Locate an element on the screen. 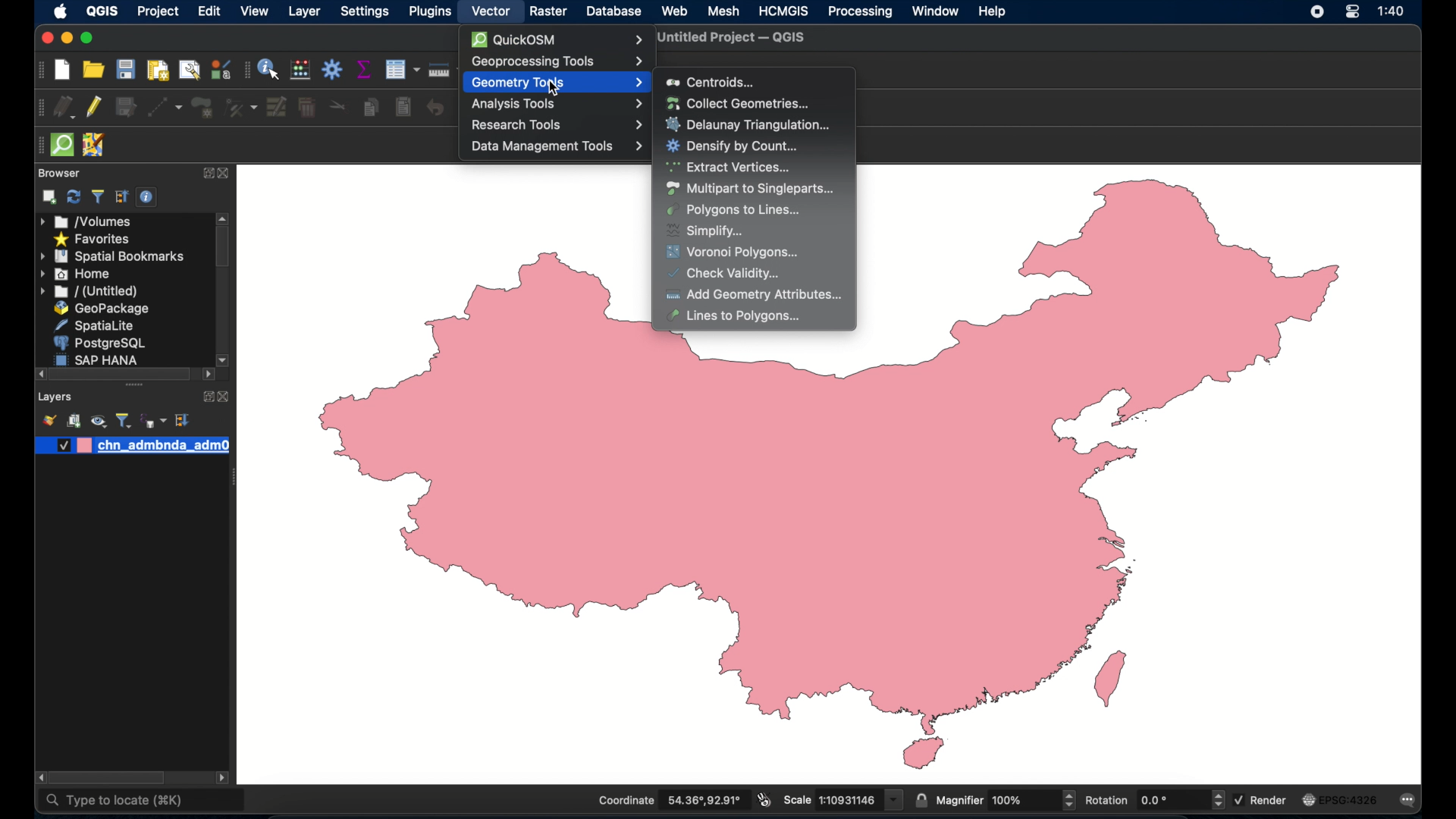  favorites is located at coordinates (95, 240).